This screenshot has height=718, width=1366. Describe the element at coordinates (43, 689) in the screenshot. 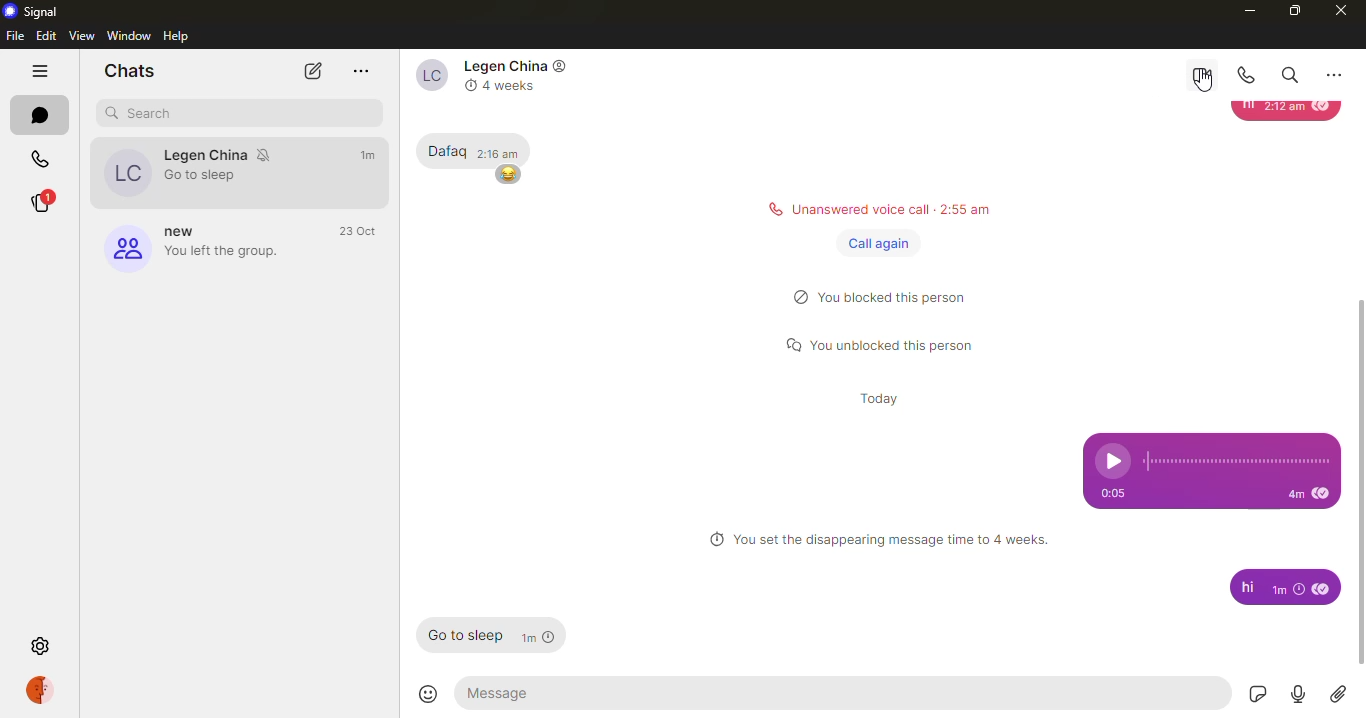

I see `profile` at that location.